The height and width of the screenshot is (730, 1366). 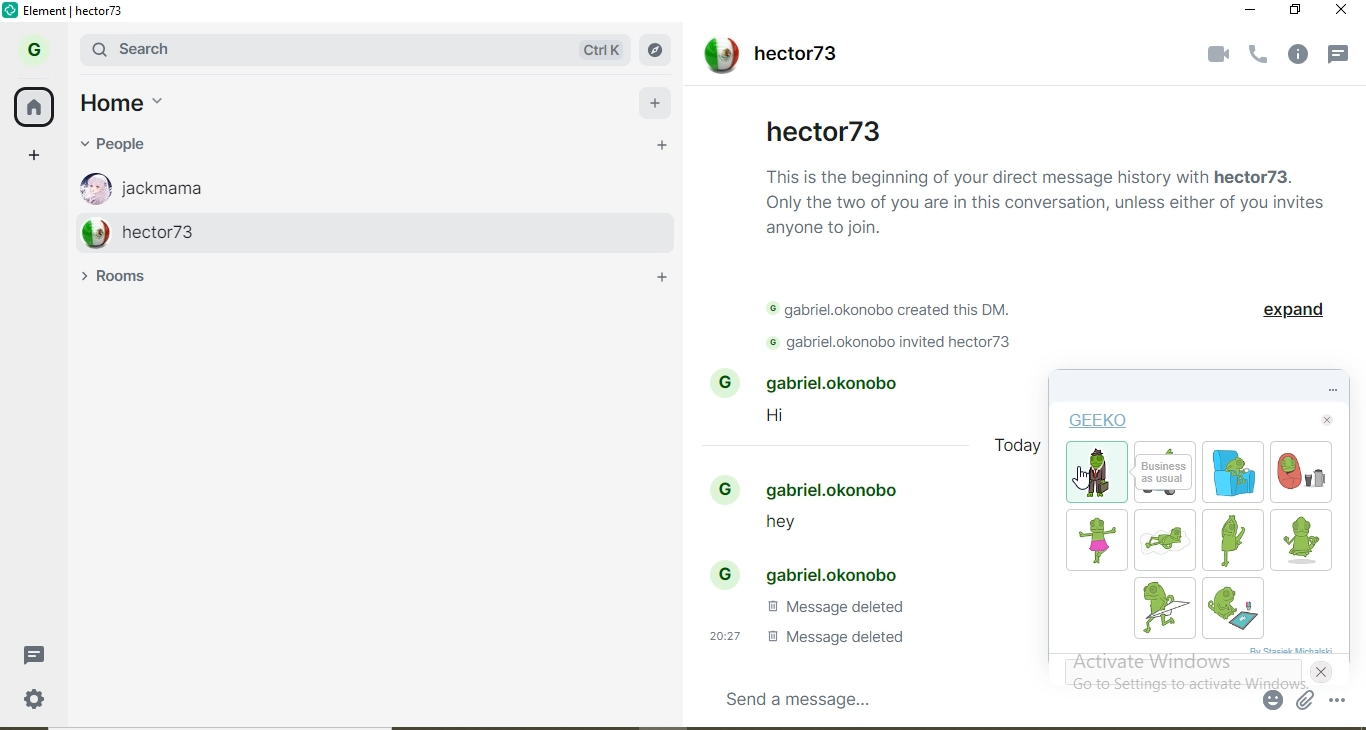 I want to click on text 5, so click(x=801, y=636).